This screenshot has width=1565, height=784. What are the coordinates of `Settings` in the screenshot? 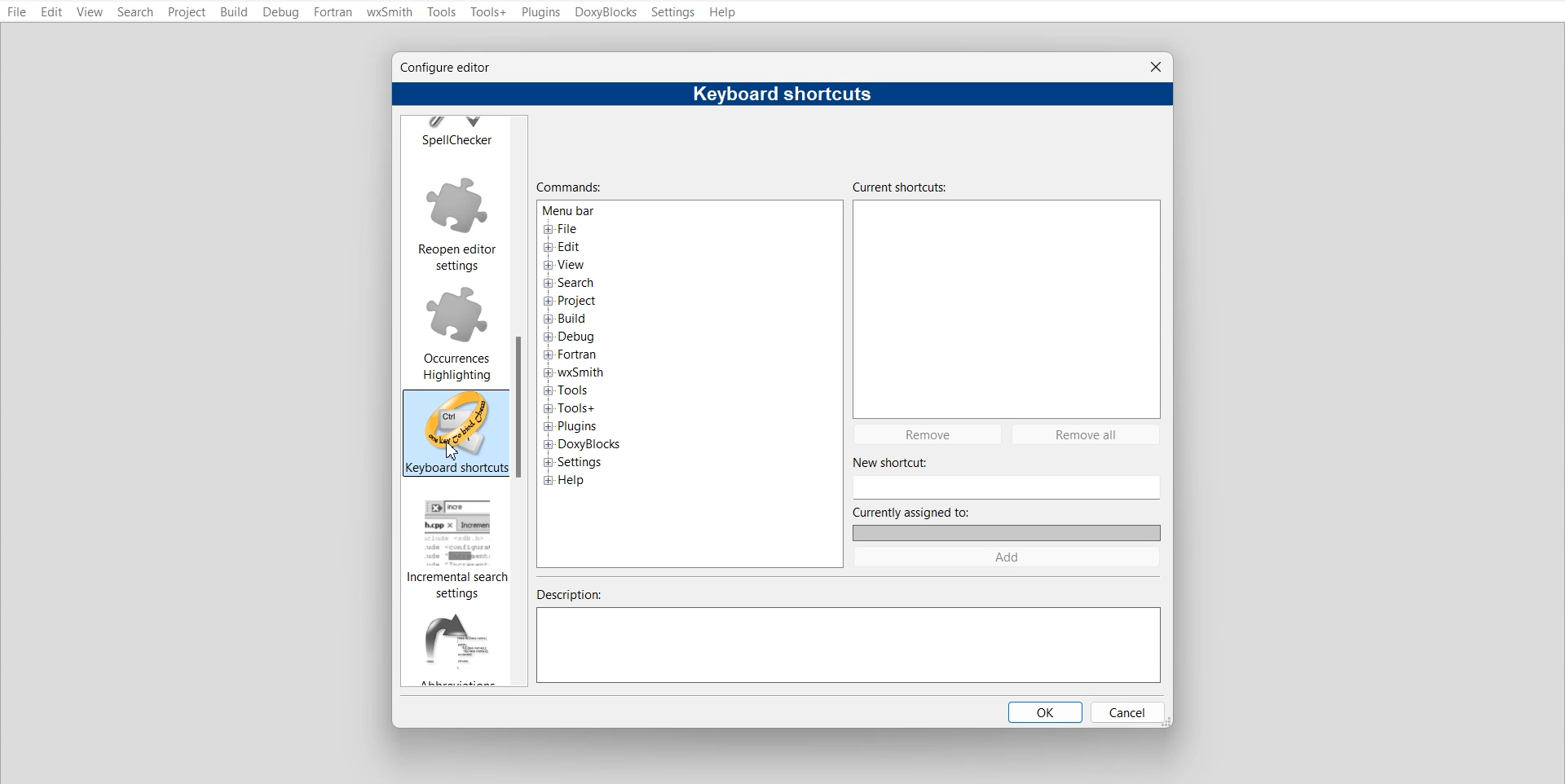 It's located at (674, 12).